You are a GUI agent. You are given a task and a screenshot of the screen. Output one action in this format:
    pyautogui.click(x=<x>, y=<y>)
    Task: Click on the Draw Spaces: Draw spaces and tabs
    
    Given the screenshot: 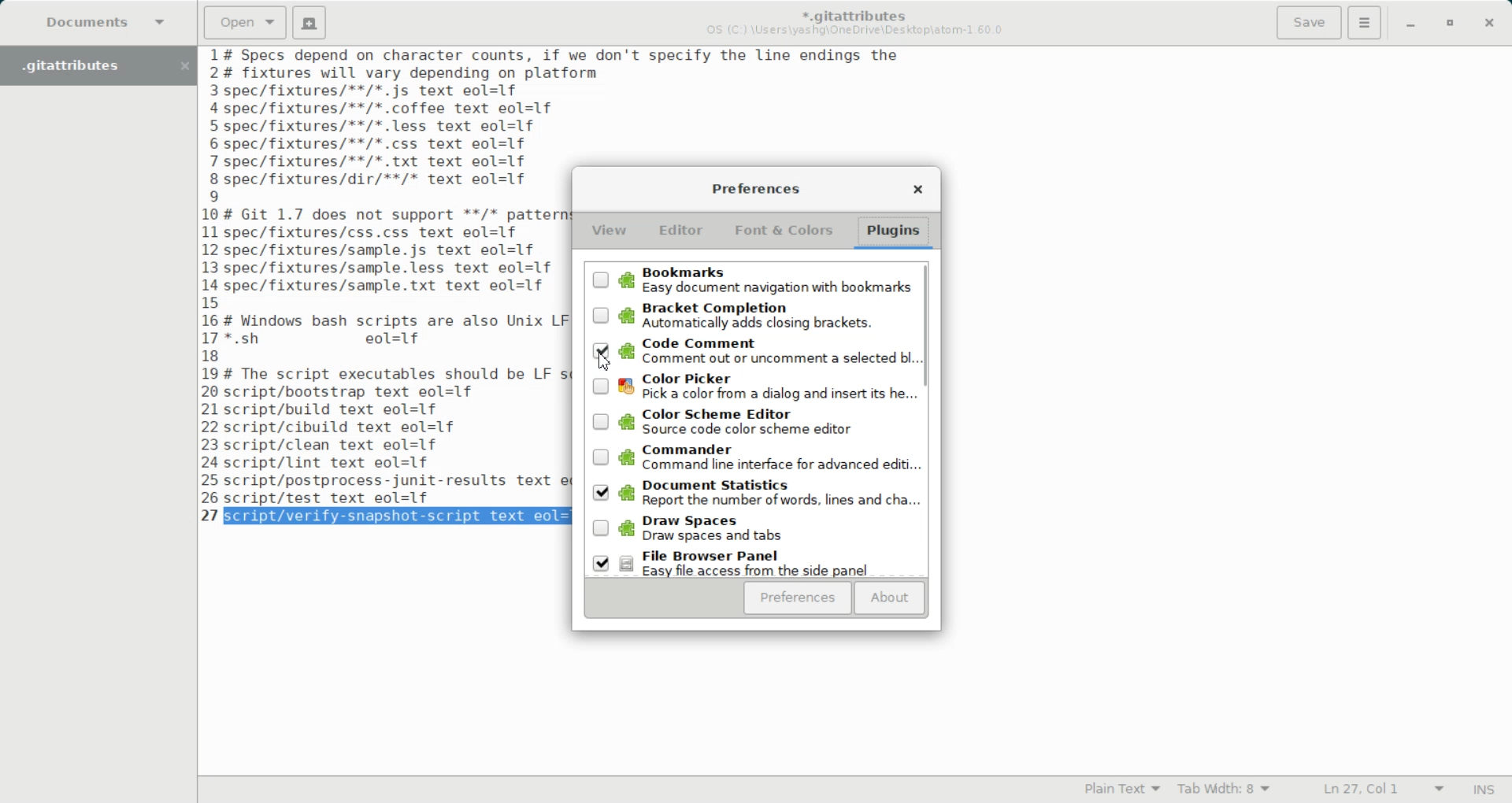 What is the action you would take?
    pyautogui.click(x=751, y=527)
    